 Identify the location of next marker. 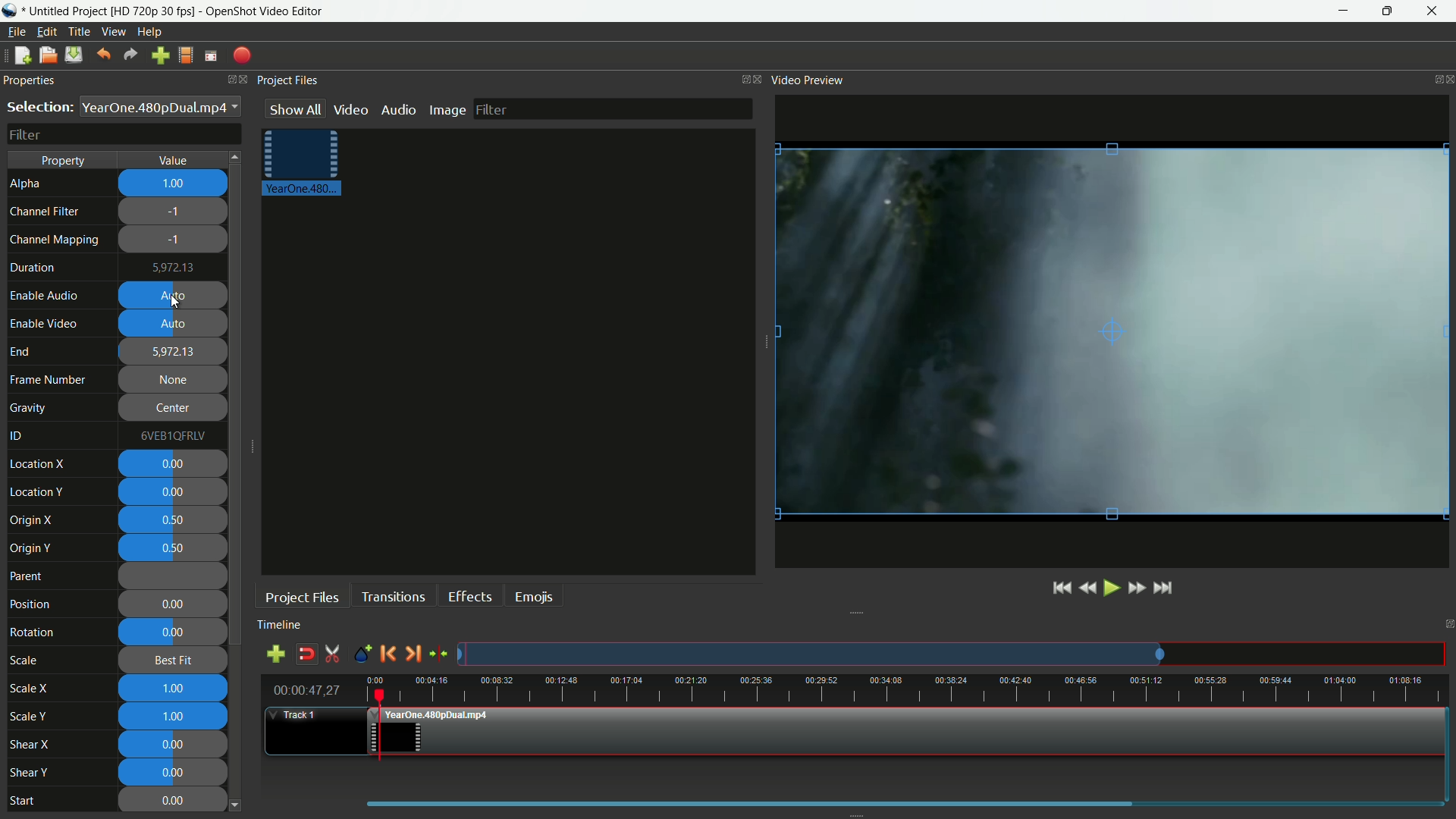
(416, 651).